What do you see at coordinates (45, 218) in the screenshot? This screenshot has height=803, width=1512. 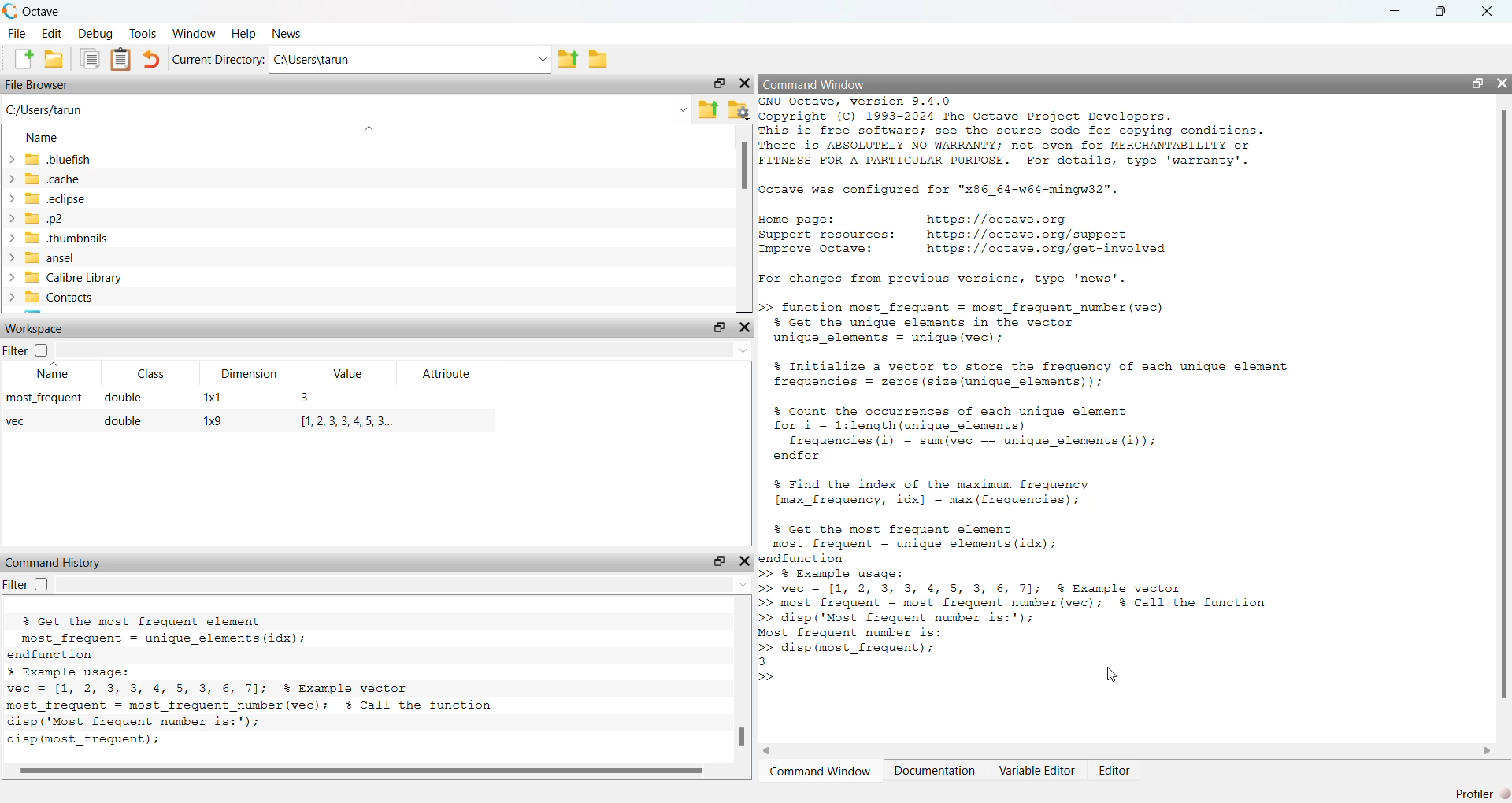 I see `.p2` at bounding box center [45, 218].